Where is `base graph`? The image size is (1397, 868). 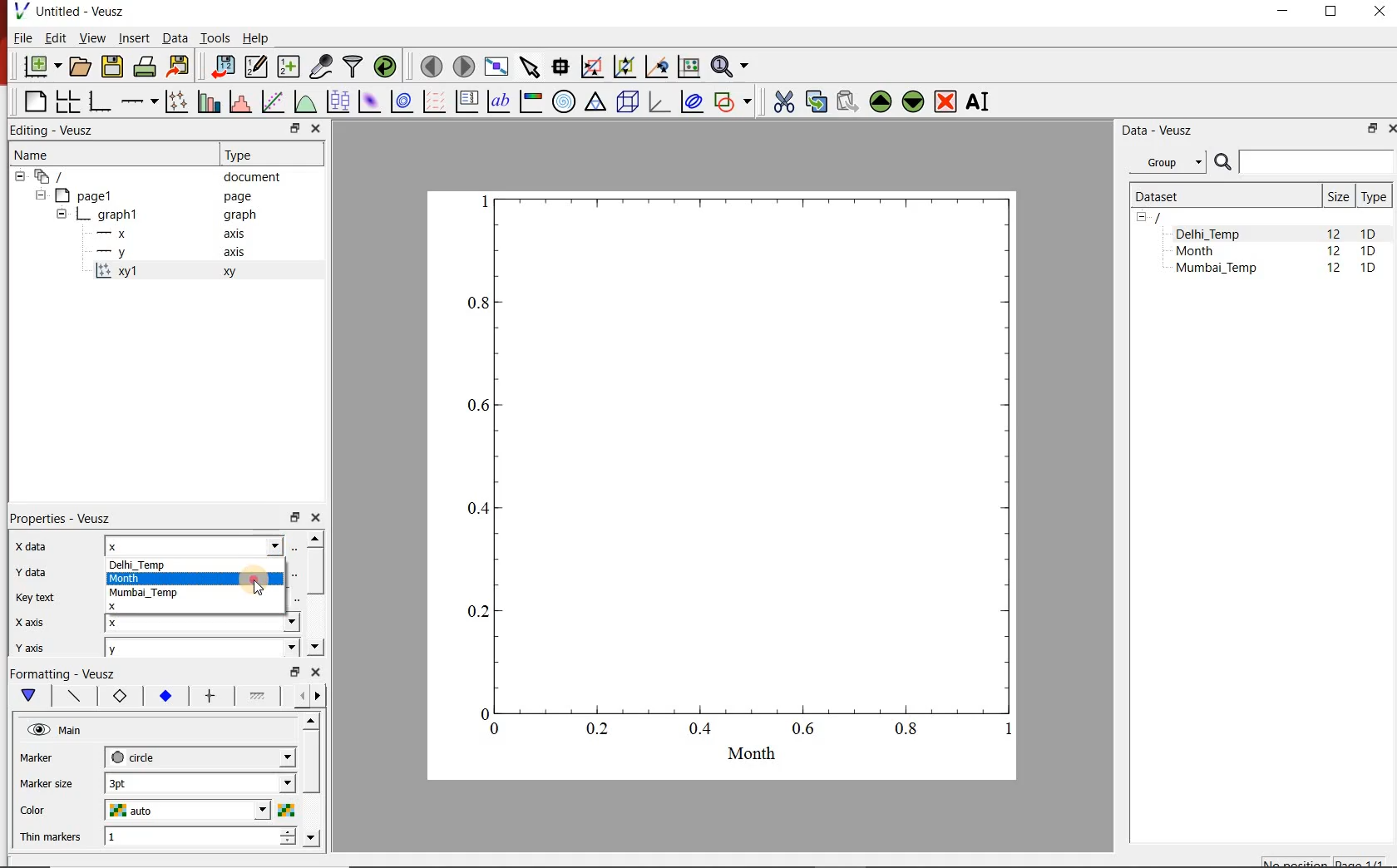 base graph is located at coordinates (98, 102).